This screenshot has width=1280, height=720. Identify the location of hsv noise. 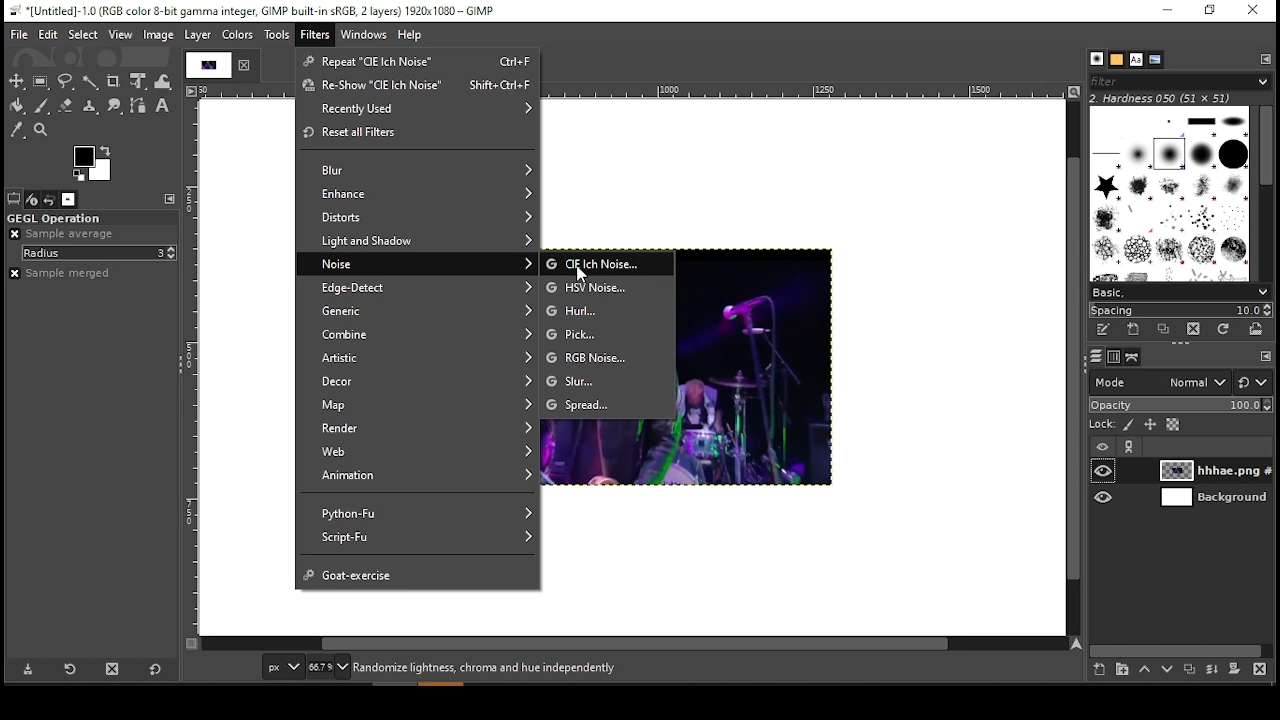
(606, 286).